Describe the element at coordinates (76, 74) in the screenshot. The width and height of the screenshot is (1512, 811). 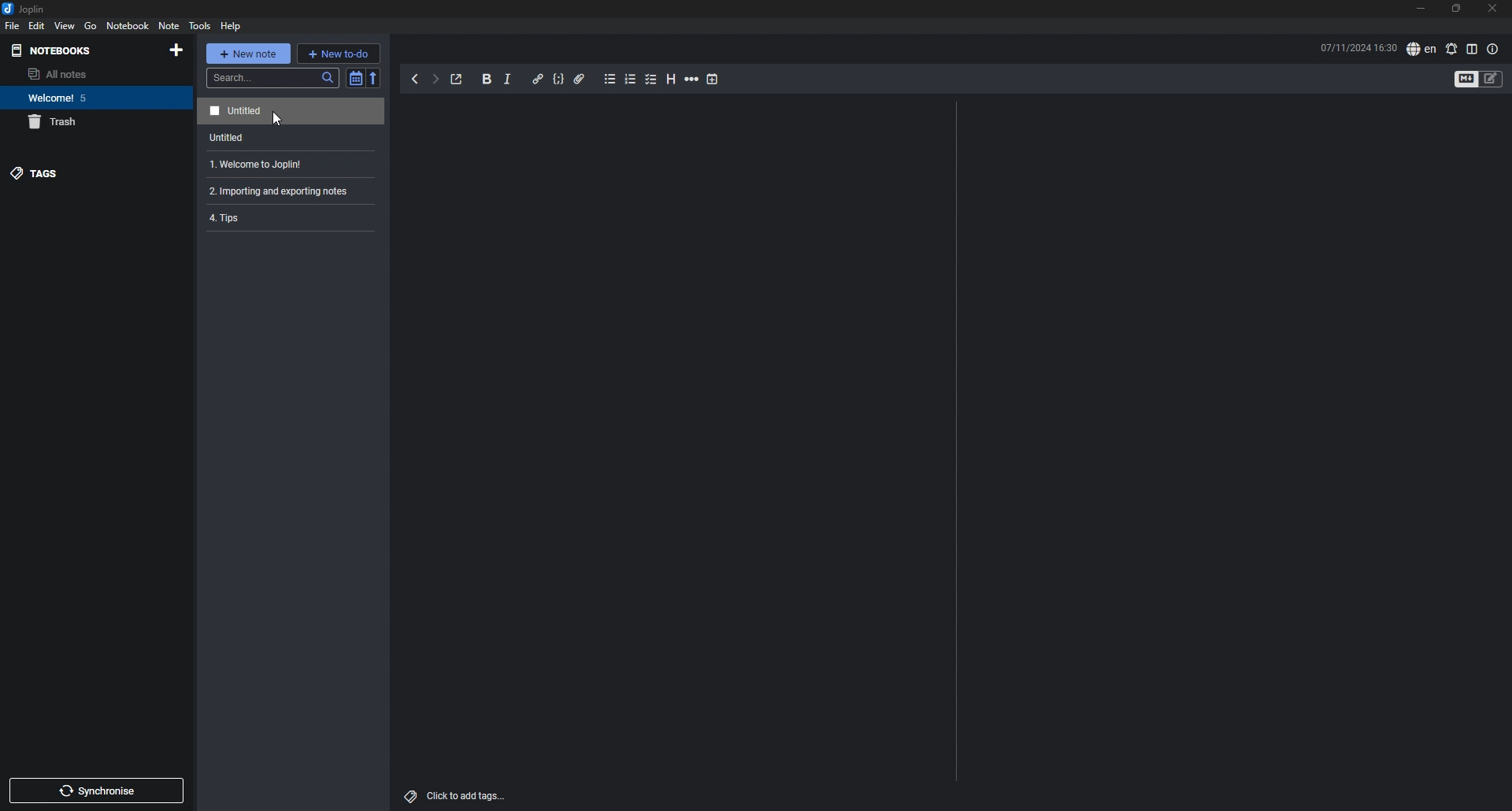
I see `all notes` at that location.